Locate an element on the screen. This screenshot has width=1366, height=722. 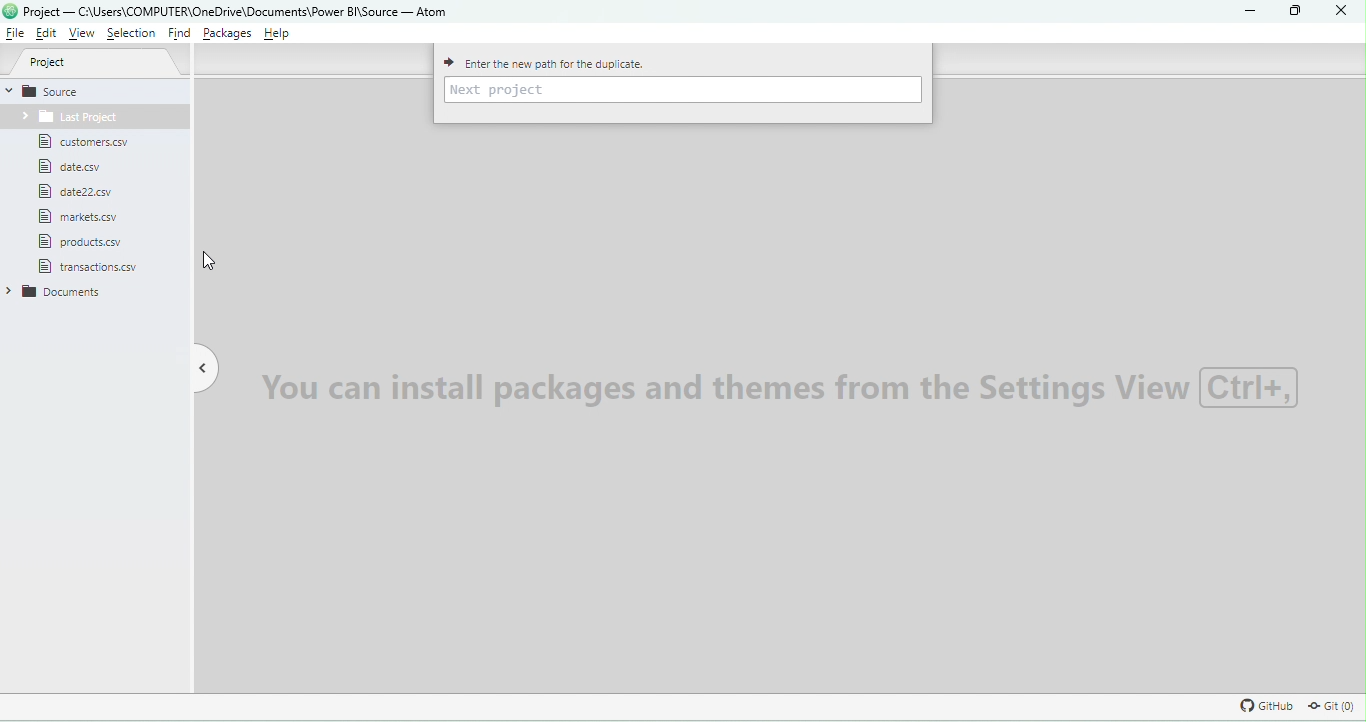
Enter path for the duplicate is located at coordinates (571, 62).